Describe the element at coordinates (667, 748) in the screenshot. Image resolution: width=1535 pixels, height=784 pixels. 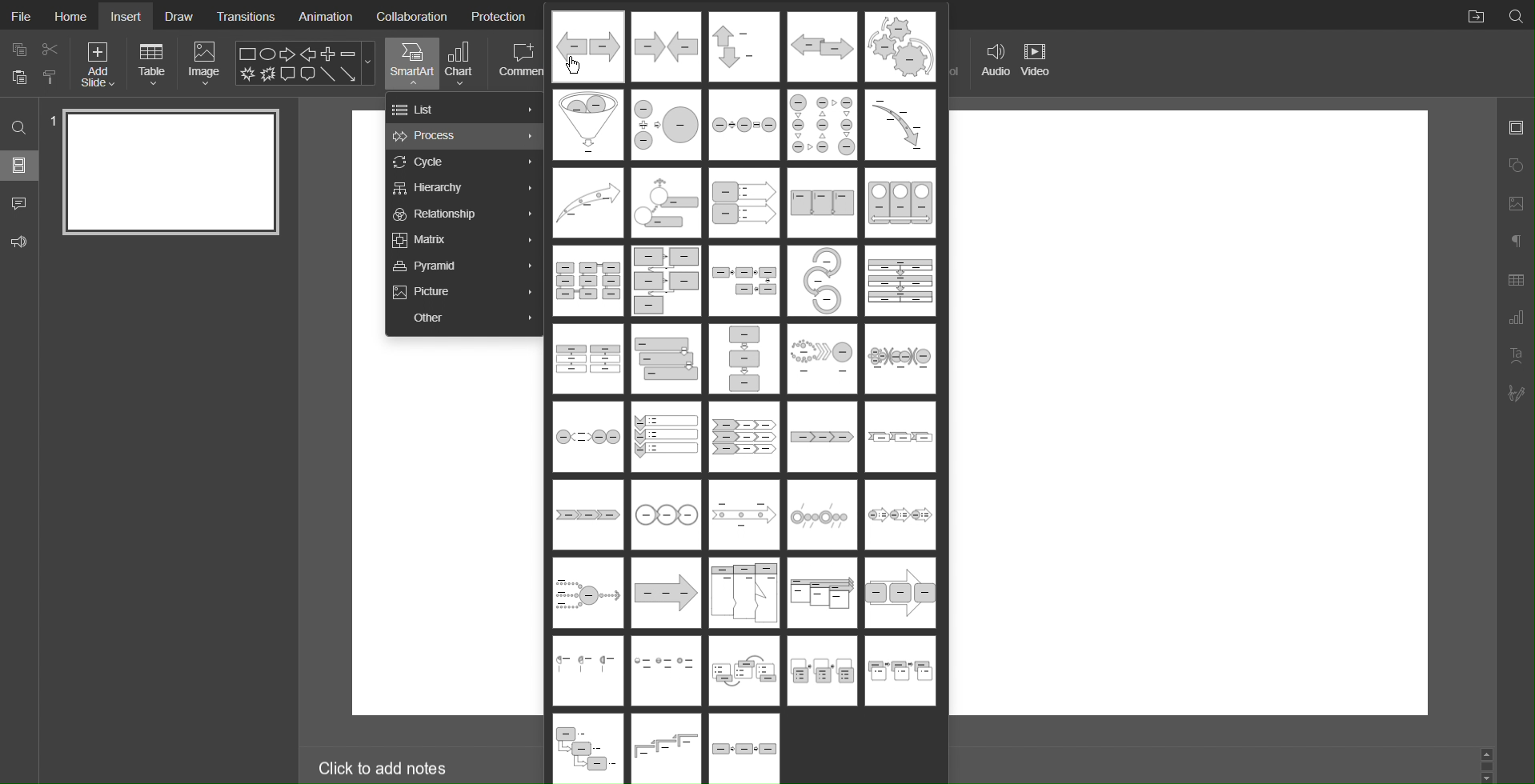
I see `process templates` at that location.